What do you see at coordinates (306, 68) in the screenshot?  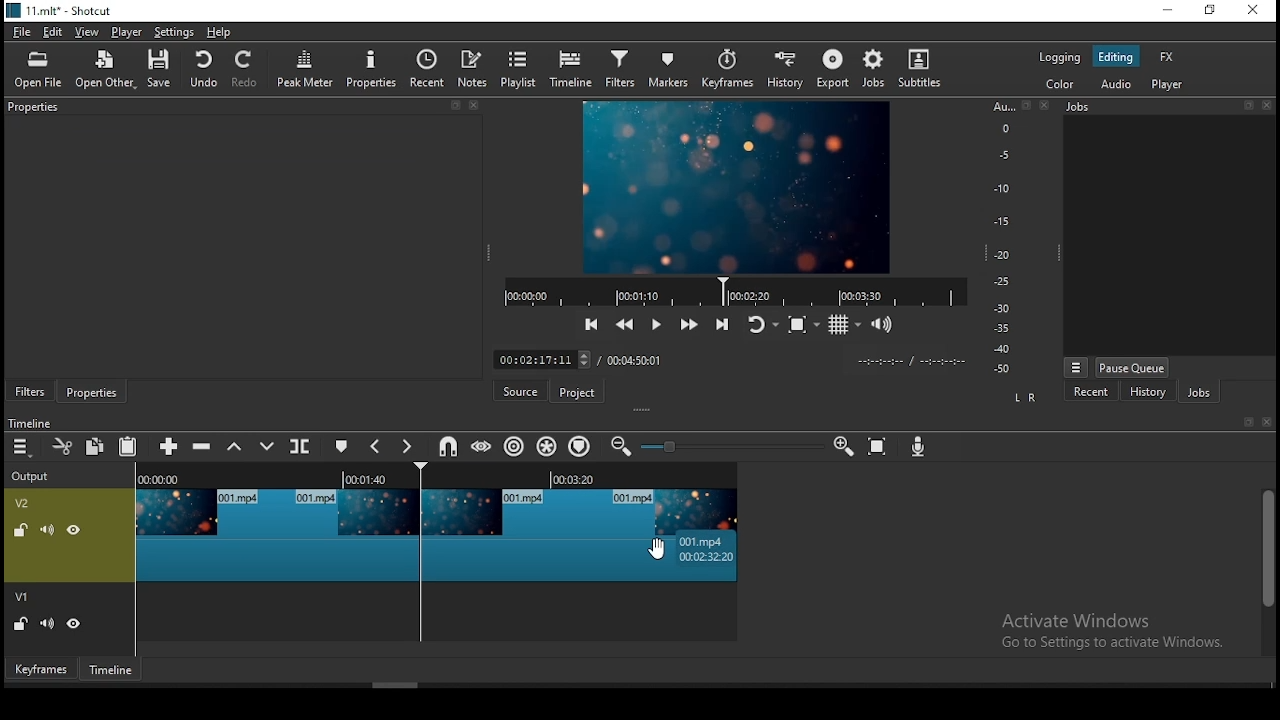 I see `peak meter` at bounding box center [306, 68].